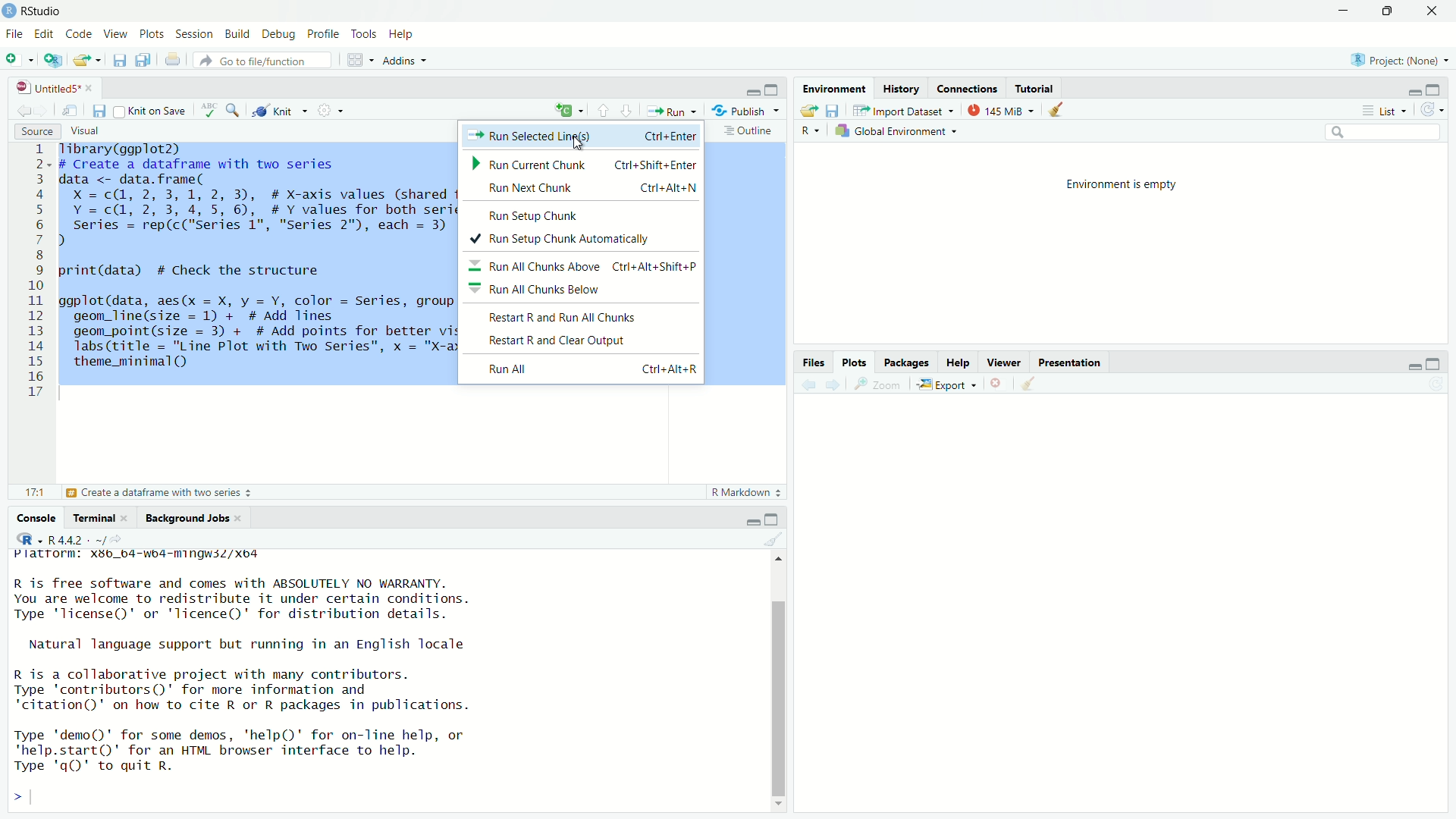  What do you see at coordinates (36, 517) in the screenshot?
I see `Console` at bounding box center [36, 517].